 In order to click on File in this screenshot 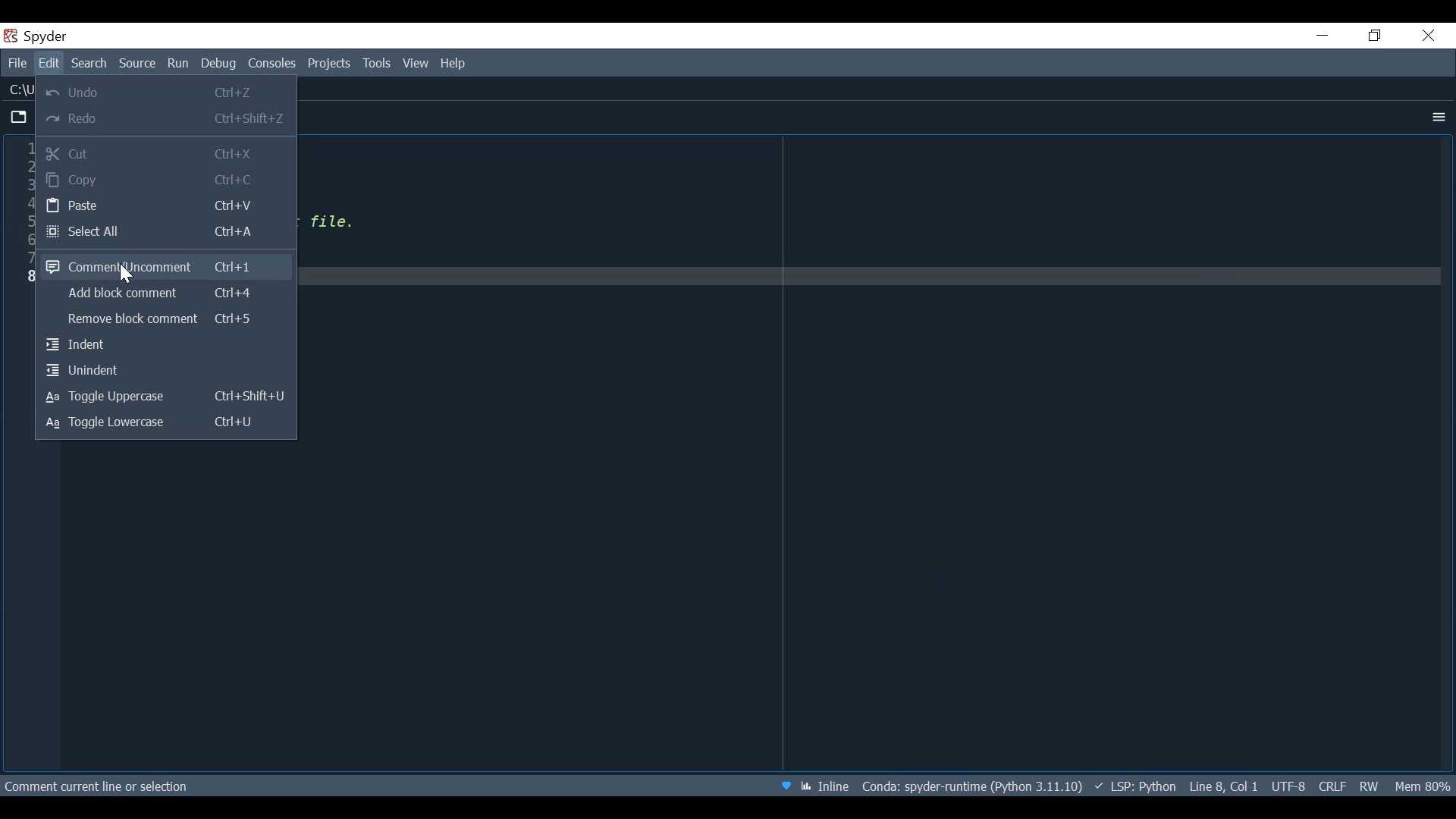, I will do `click(17, 64)`.